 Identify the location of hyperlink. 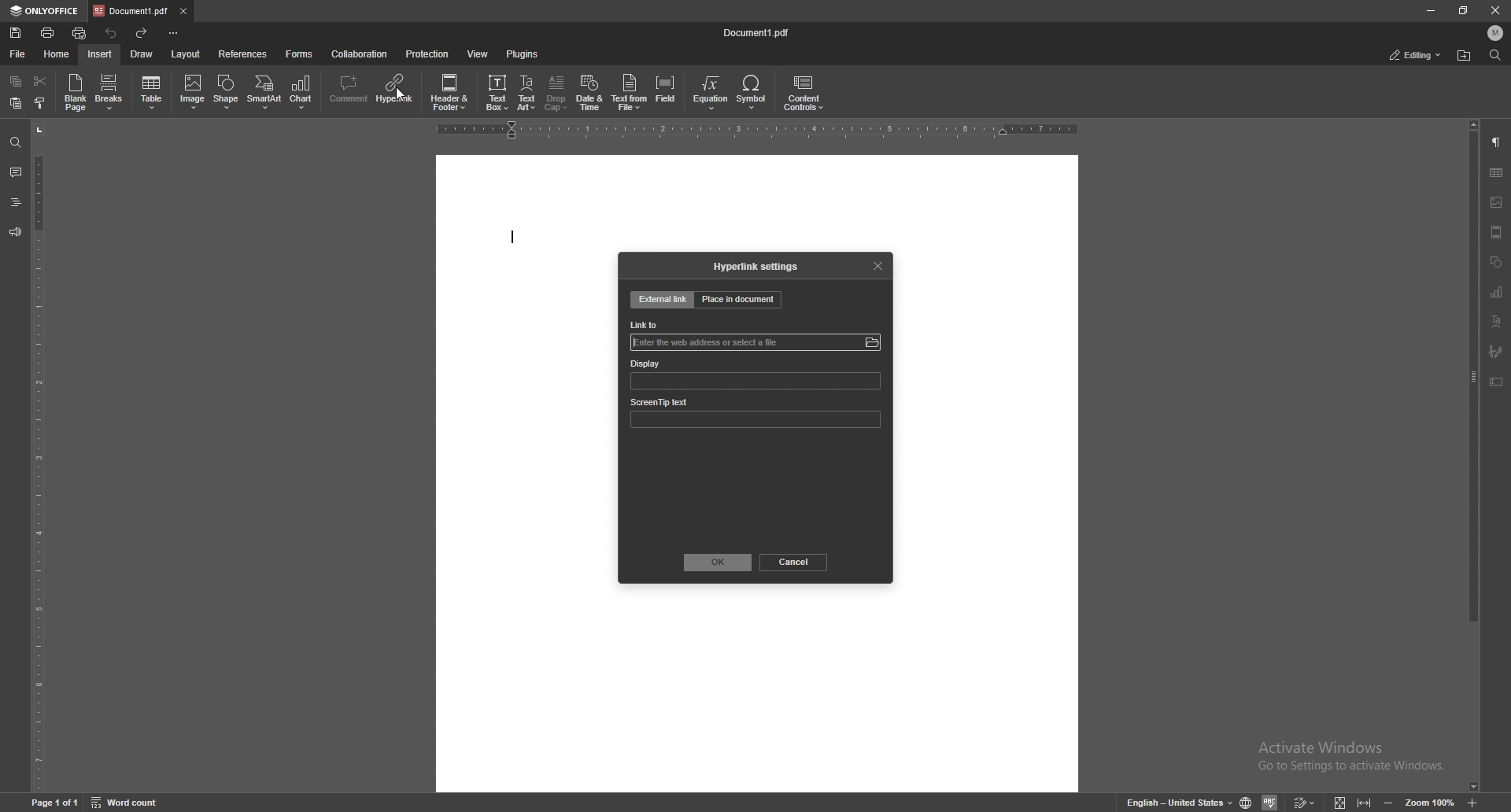
(396, 90).